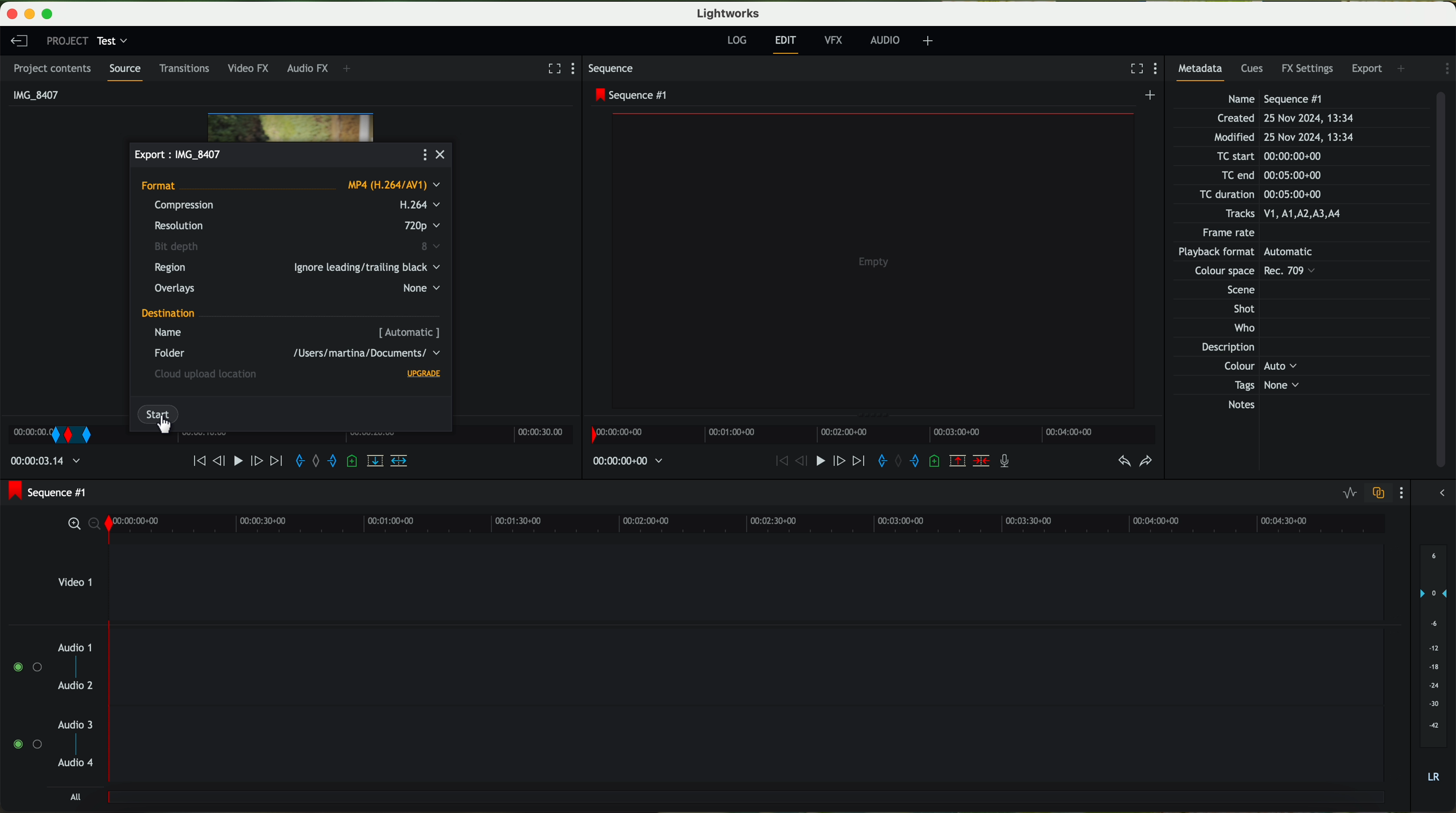  I want to click on fullscreen, so click(552, 68).